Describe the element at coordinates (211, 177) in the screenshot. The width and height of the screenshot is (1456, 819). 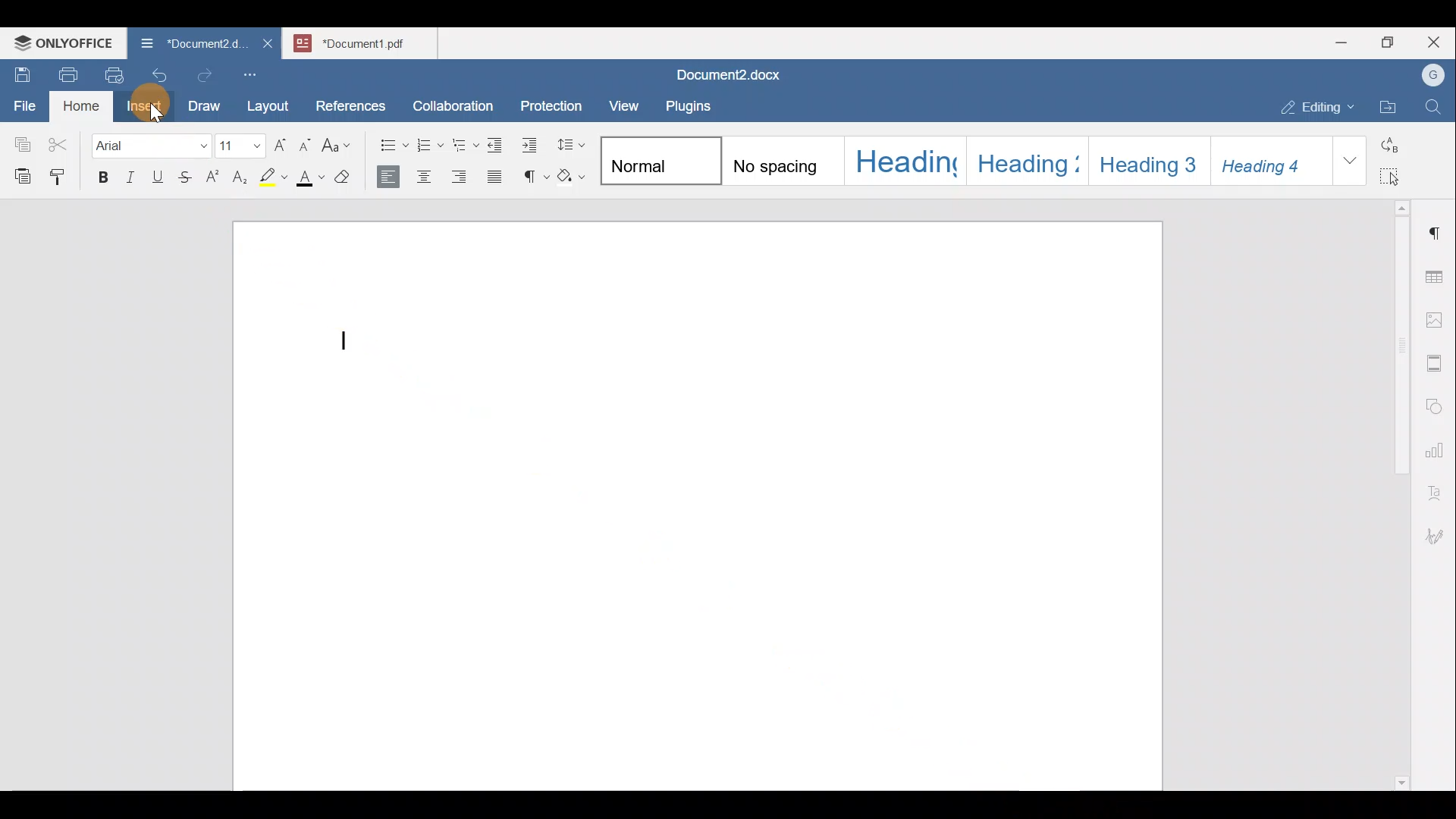
I see `Superscript` at that location.